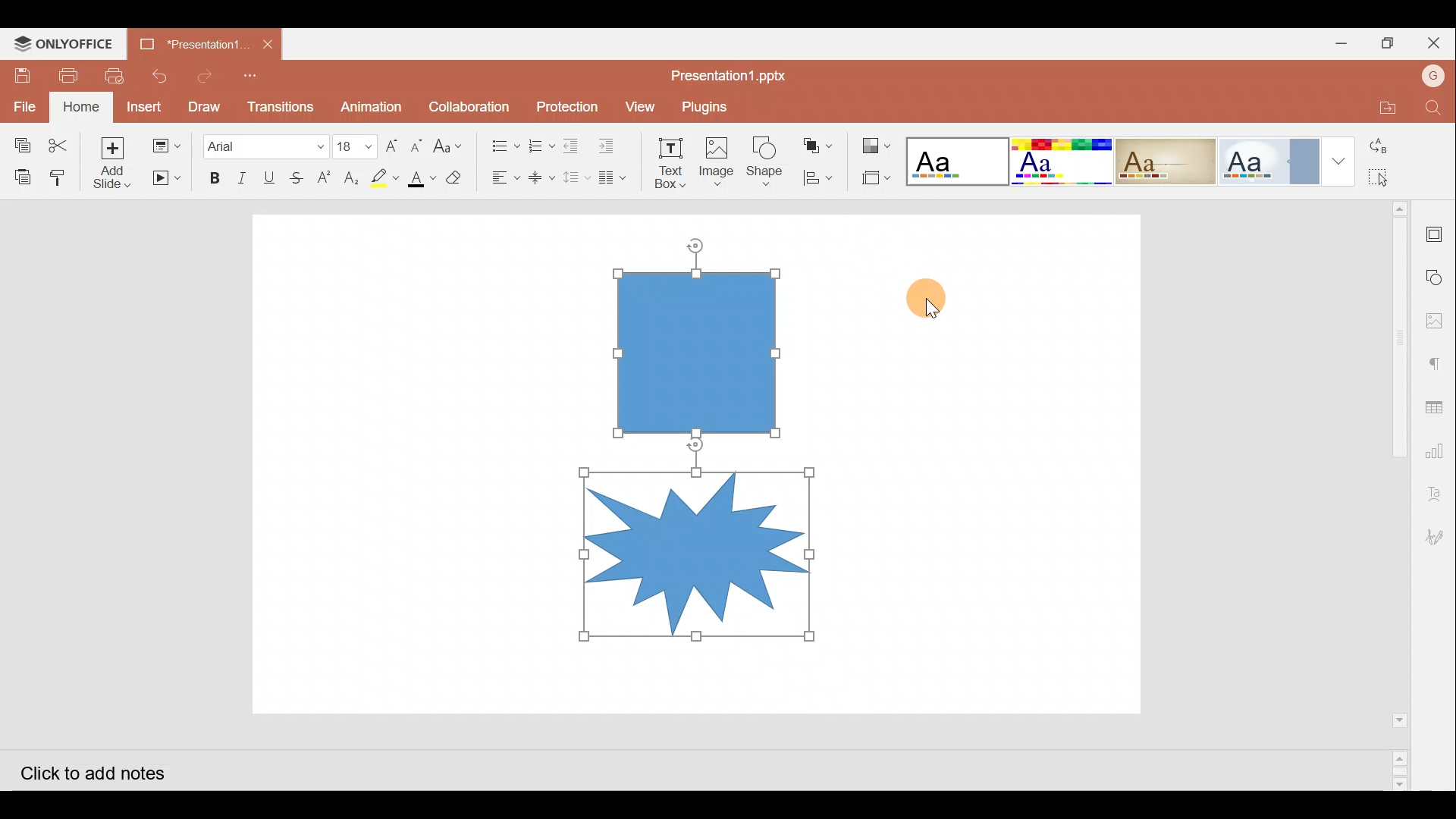  What do you see at coordinates (576, 178) in the screenshot?
I see `Line spacing` at bounding box center [576, 178].